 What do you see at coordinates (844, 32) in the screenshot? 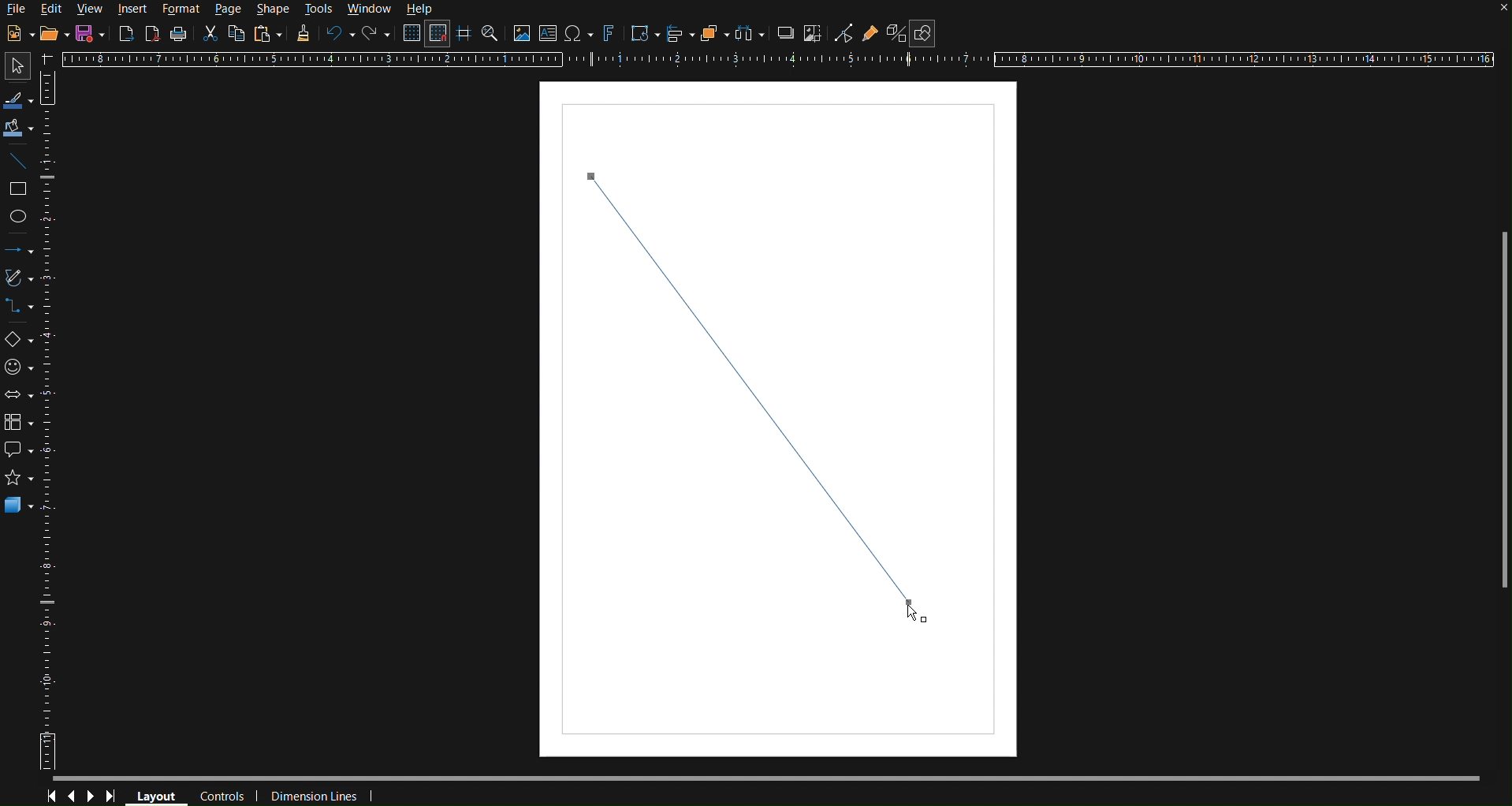
I see `Toggle Point Edit Mode` at bounding box center [844, 32].